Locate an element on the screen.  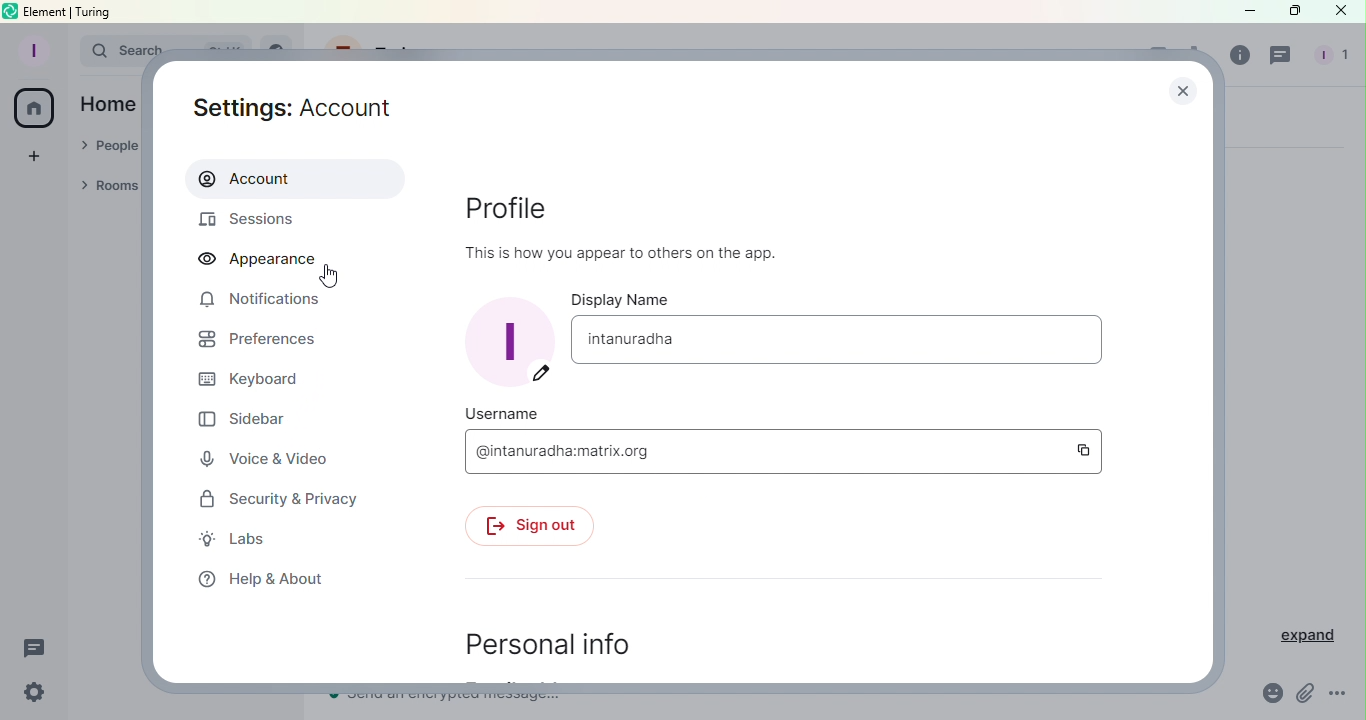
Threads is located at coordinates (35, 649).